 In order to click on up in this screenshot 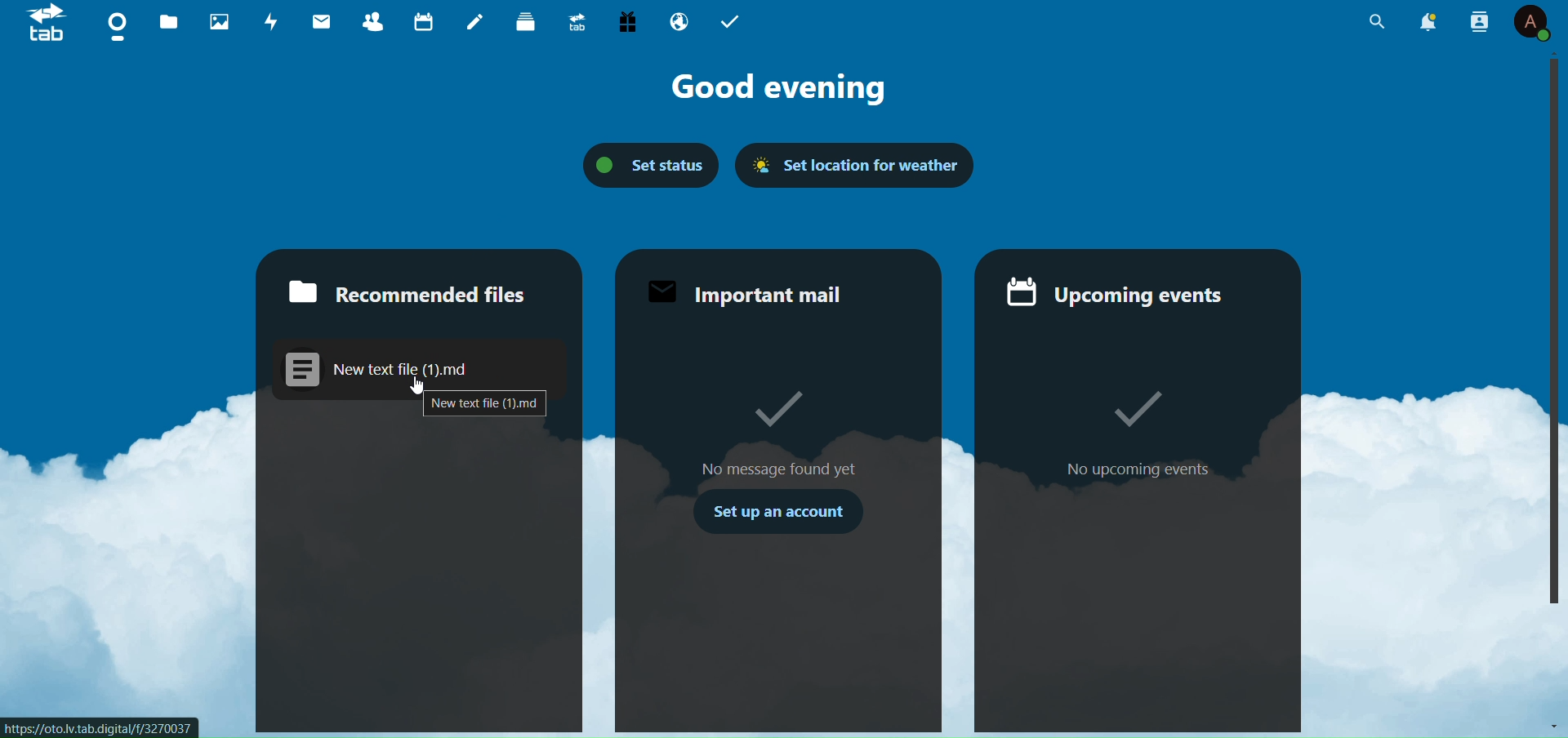, I will do `click(1554, 53)`.